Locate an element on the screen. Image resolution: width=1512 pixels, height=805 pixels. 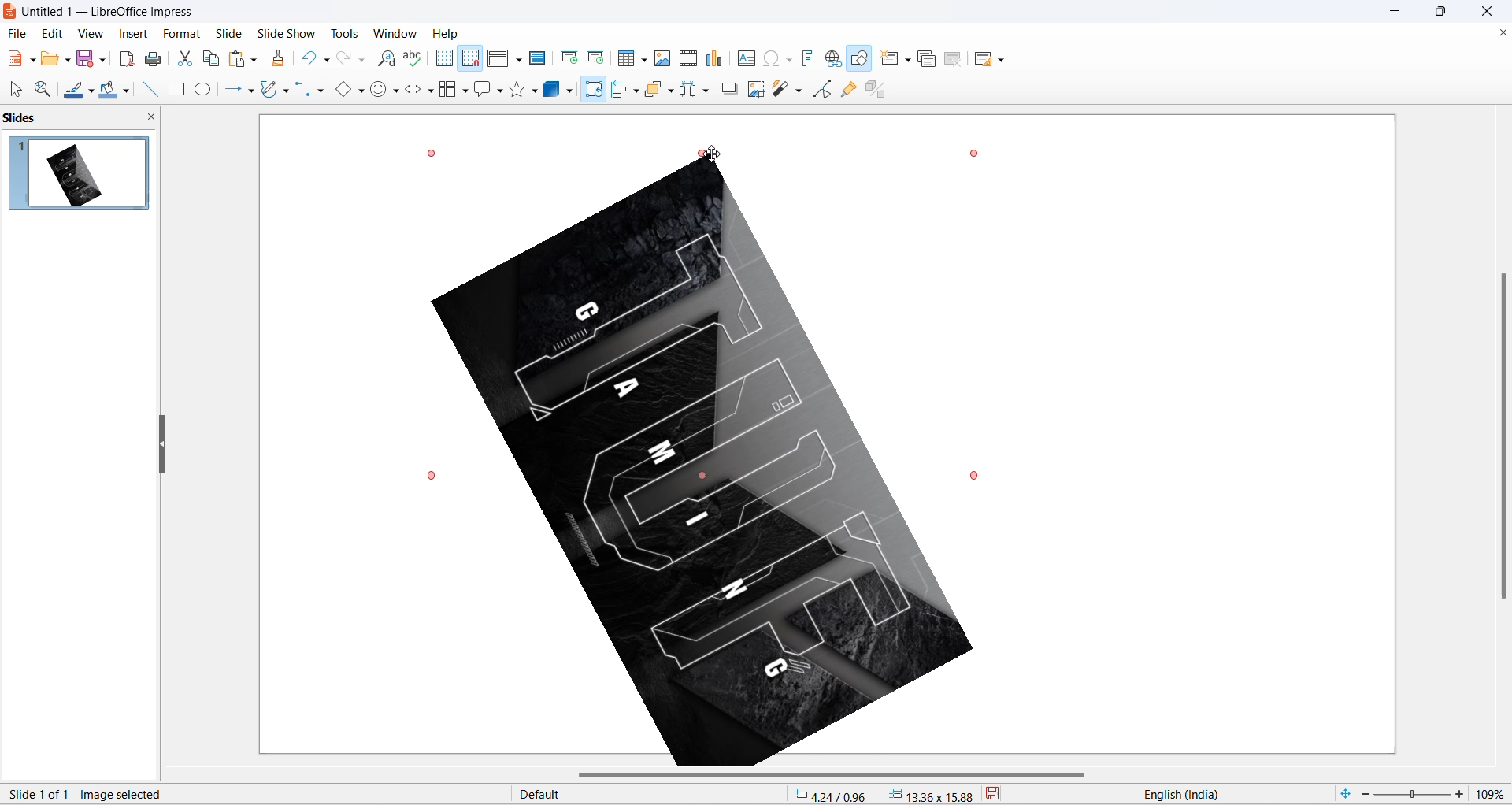
new slide is located at coordinates (890, 58).